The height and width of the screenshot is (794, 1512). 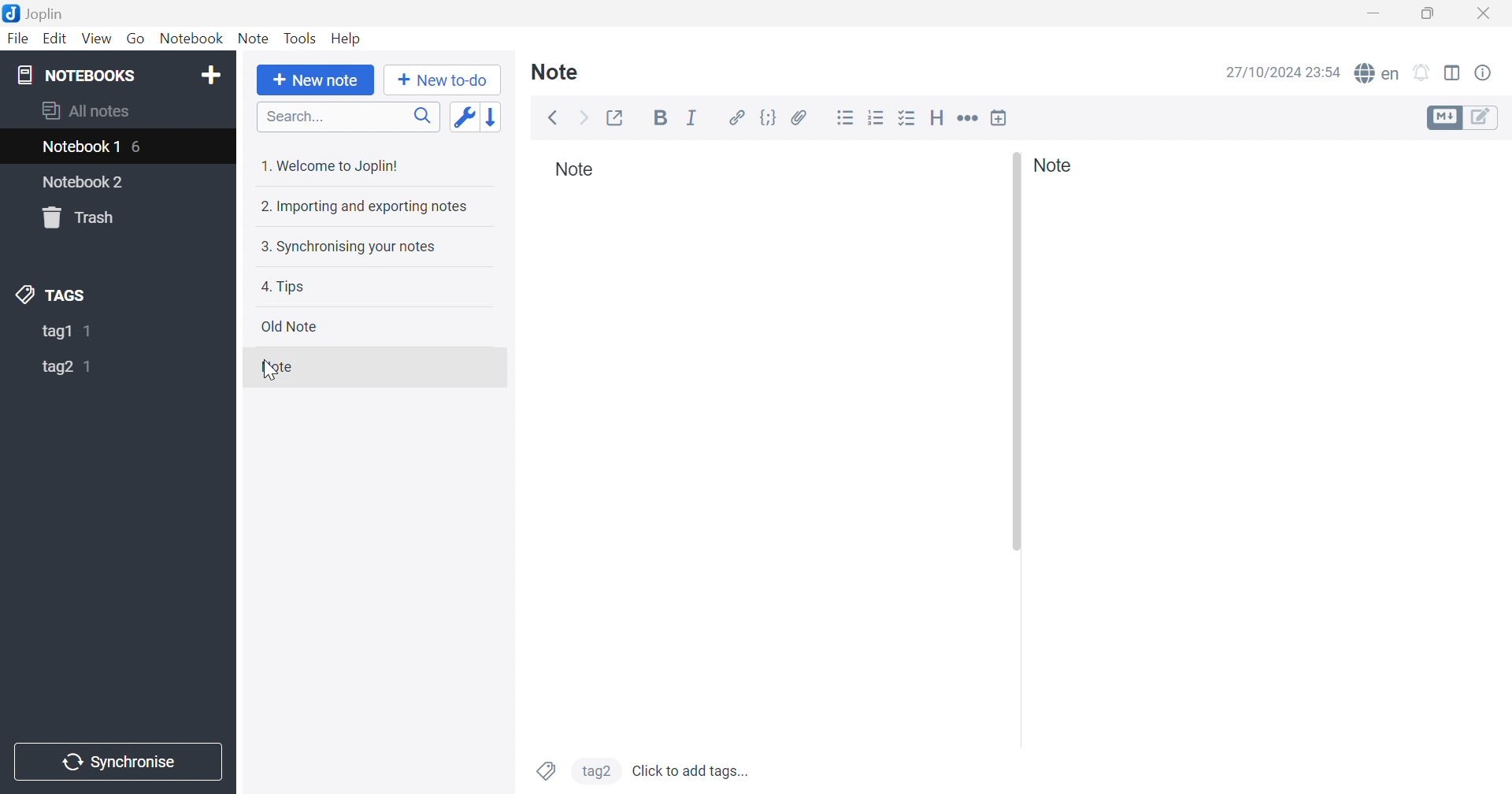 What do you see at coordinates (1053, 165) in the screenshot?
I see `Note` at bounding box center [1053, 165].